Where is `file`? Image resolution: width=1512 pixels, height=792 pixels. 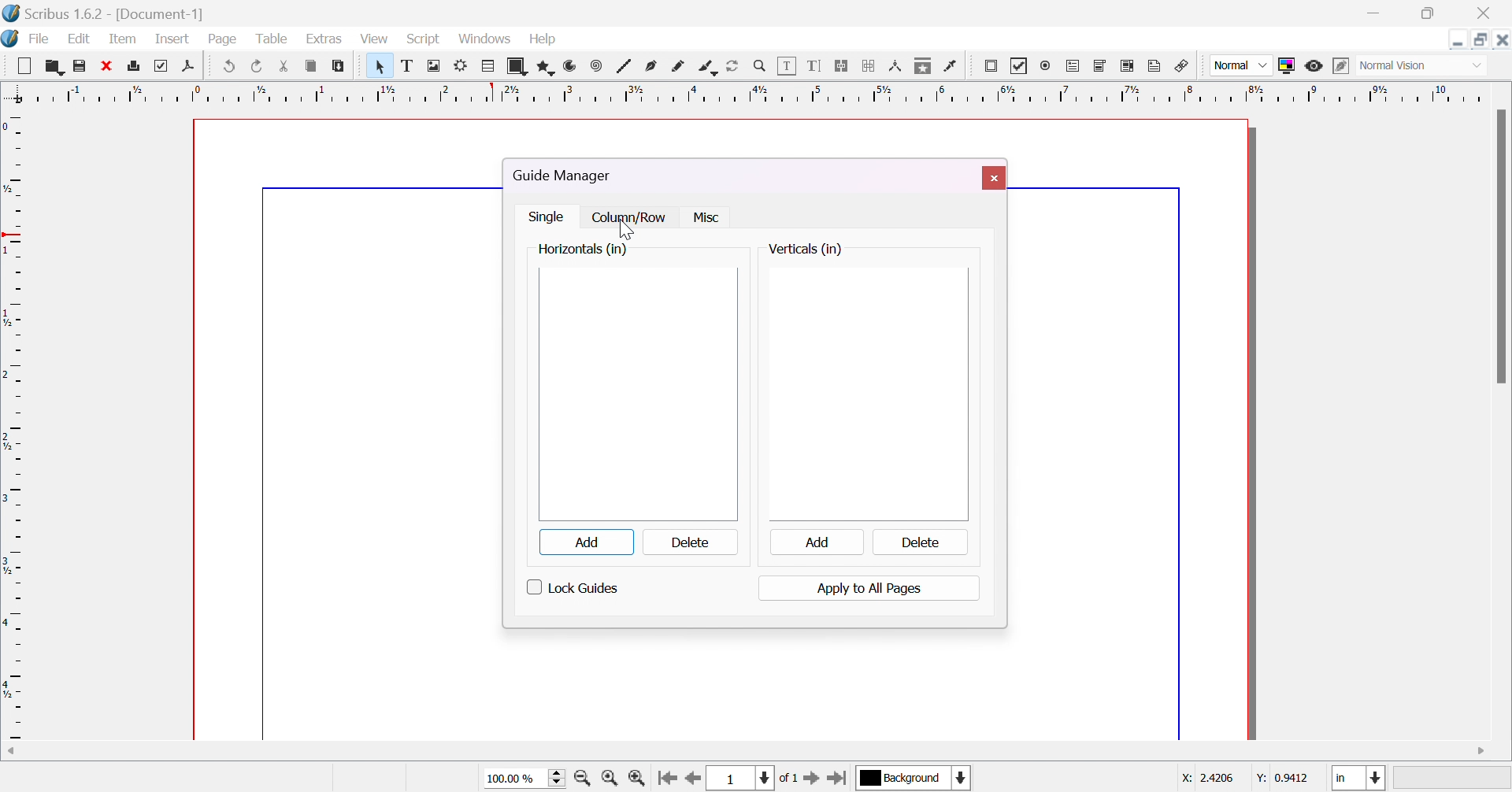 file is located at coordinates (41, 39).